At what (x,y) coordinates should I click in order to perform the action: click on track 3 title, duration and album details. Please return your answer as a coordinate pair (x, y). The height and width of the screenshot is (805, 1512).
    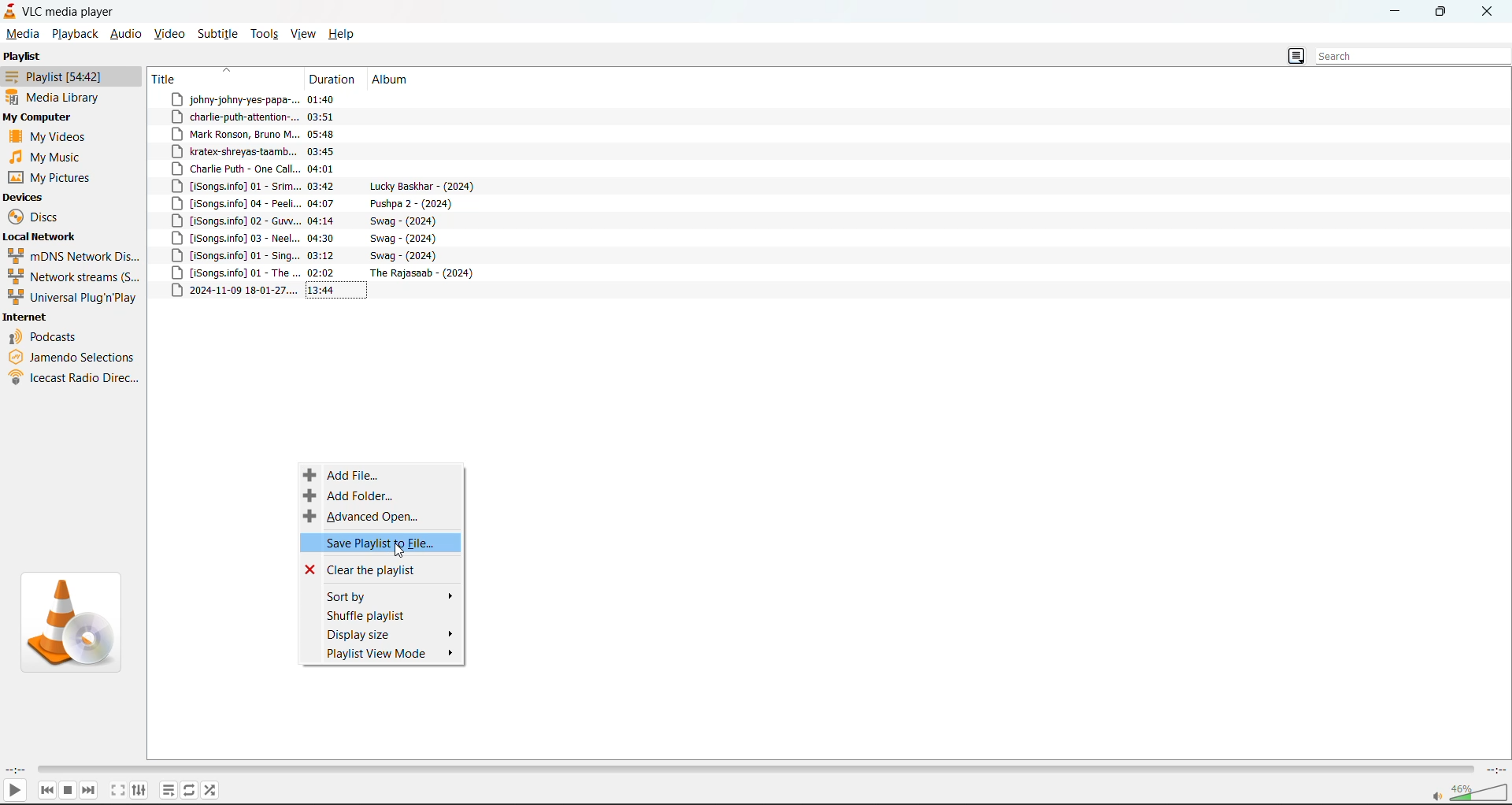
    Looking at the image, I should click on (289, 151).